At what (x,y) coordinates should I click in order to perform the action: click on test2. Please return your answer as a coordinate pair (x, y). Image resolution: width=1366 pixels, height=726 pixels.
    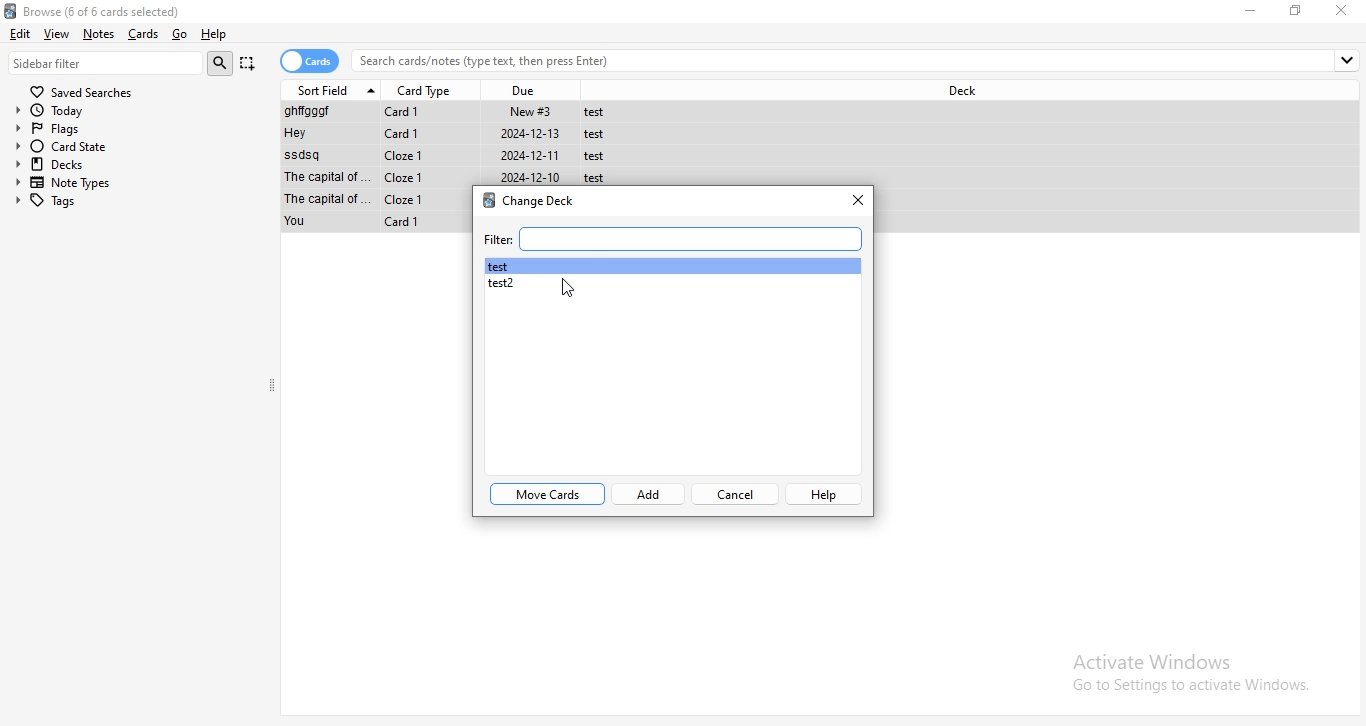
    Looking at the image, I should click on (672, 283).